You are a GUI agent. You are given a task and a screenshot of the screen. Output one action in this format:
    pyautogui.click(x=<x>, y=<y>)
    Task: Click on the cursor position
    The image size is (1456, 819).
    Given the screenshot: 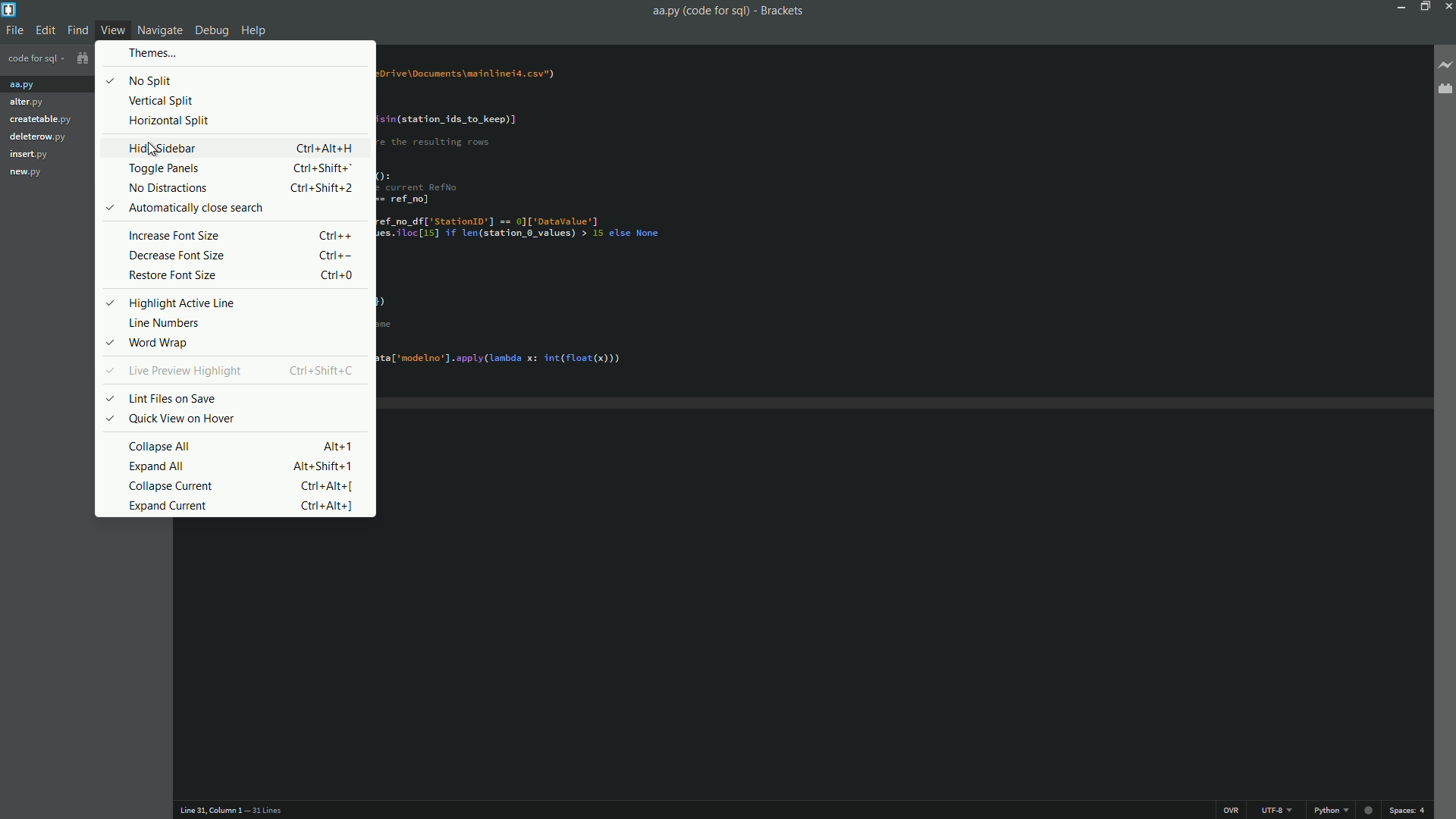 What is the action you would take?
    pyautogui.click(x=212, y=810)
    